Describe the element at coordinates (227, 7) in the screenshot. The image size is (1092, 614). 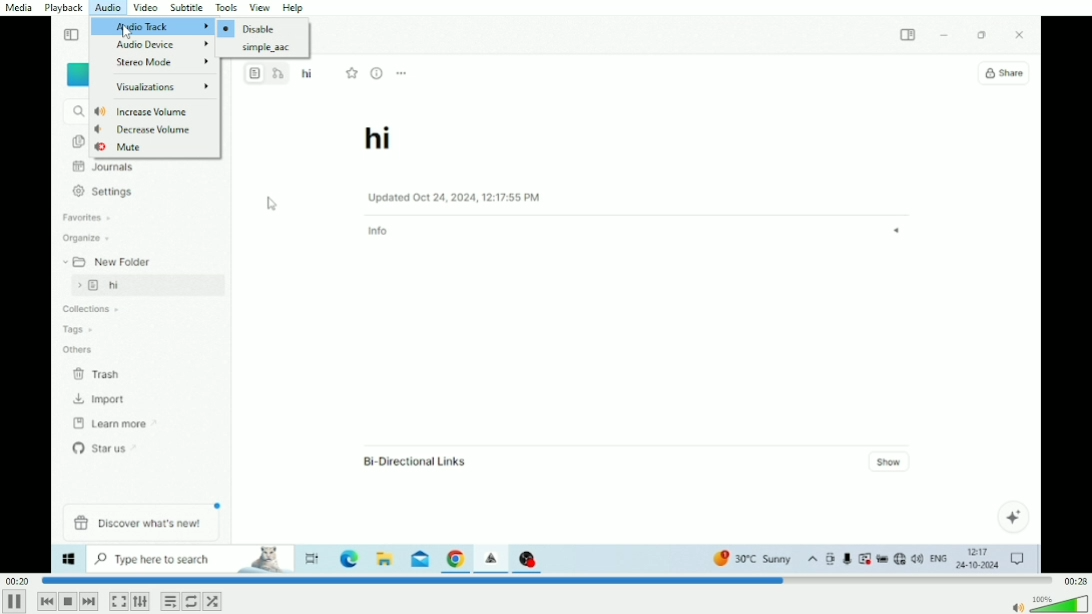
I see `Tools` at that location.